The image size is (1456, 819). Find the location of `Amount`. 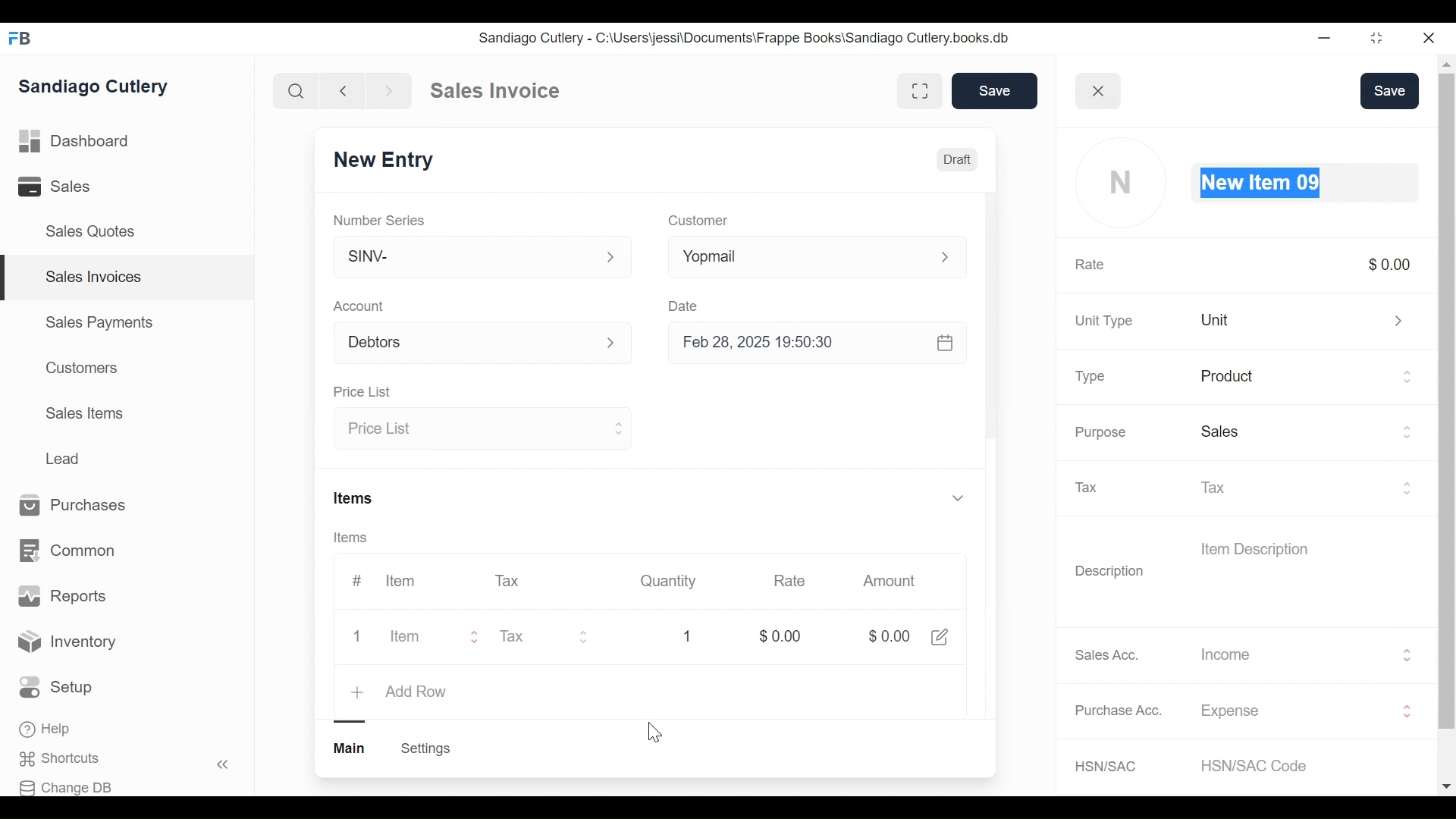

Amount is located at coordinates (887, 582).